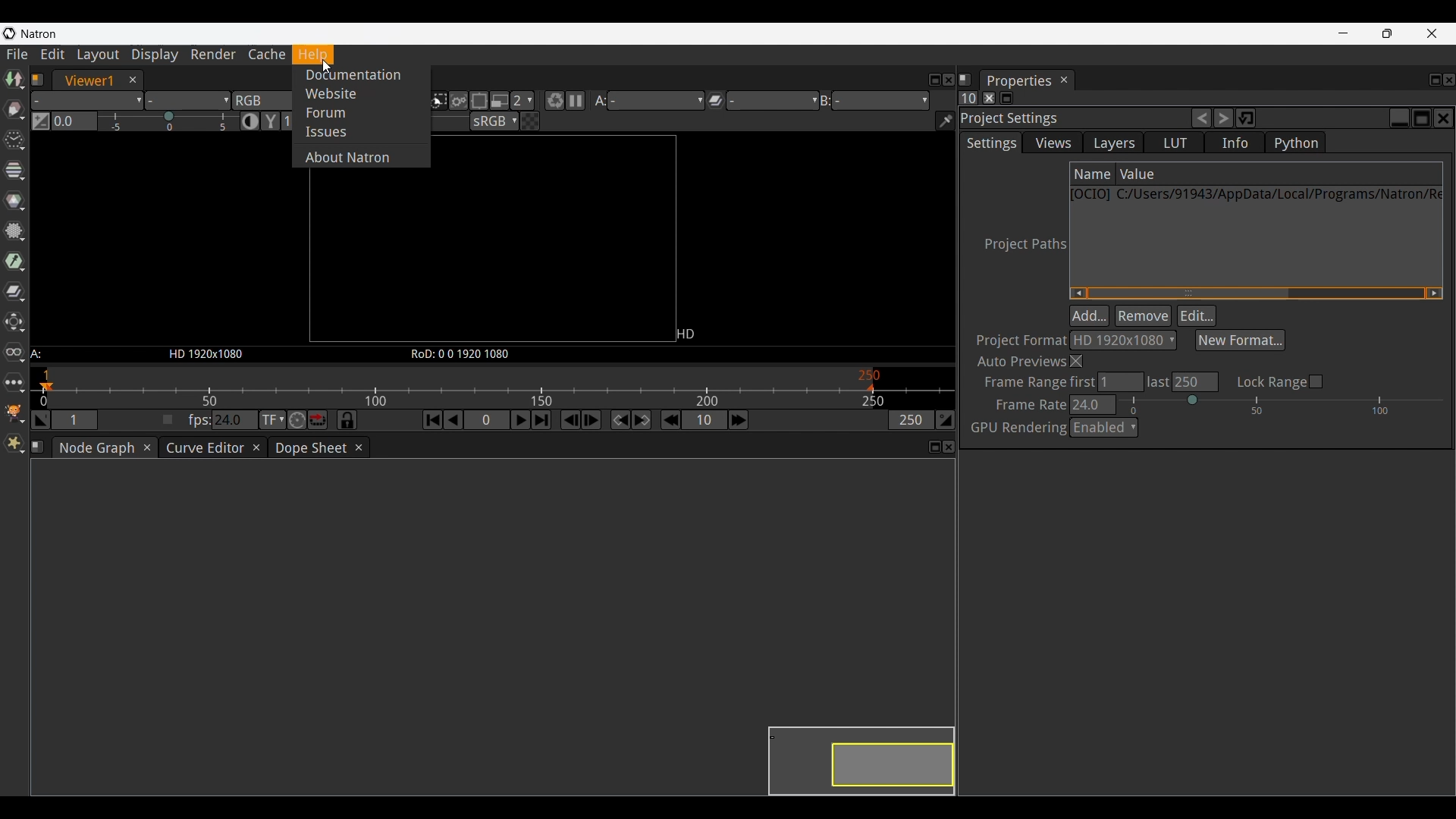 The height and width of the screenshot is (819, 1456). I want to click on Gain, so click(168, 119).